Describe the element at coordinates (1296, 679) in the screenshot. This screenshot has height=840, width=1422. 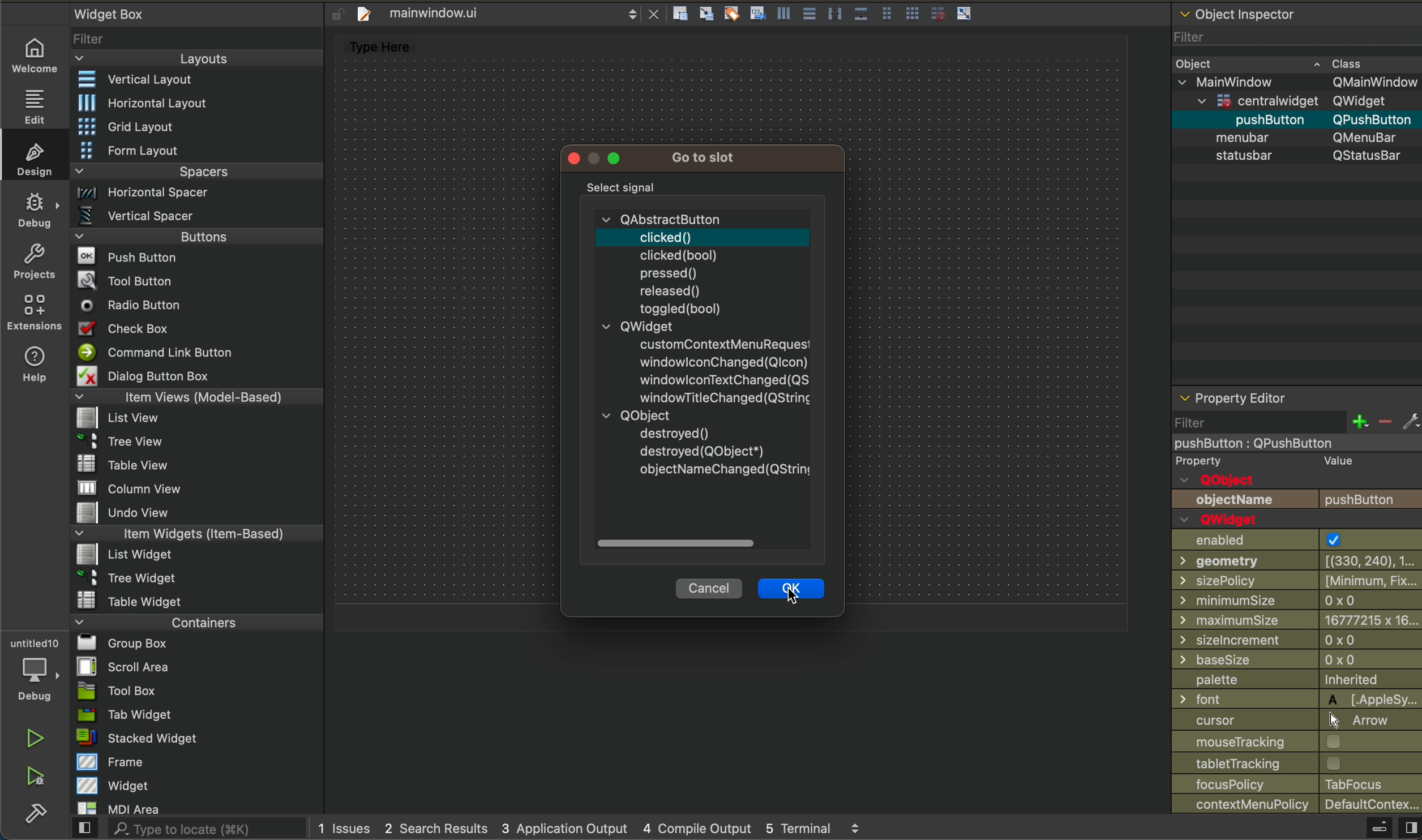
I see `palette` at that location.